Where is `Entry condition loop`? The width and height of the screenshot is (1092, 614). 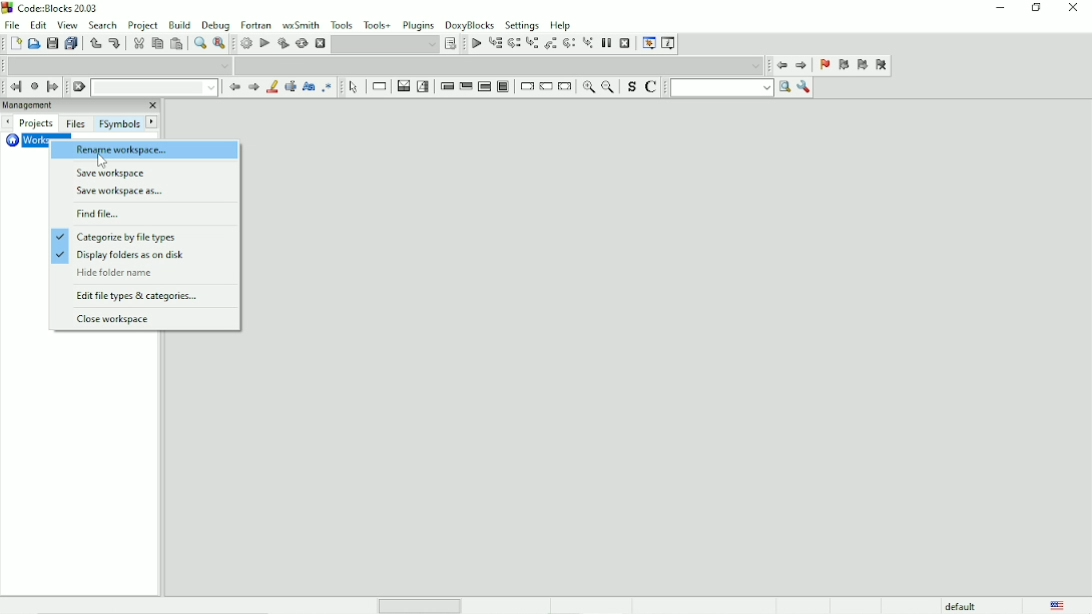 Entry condition loop is located at coordinates (446, 86).